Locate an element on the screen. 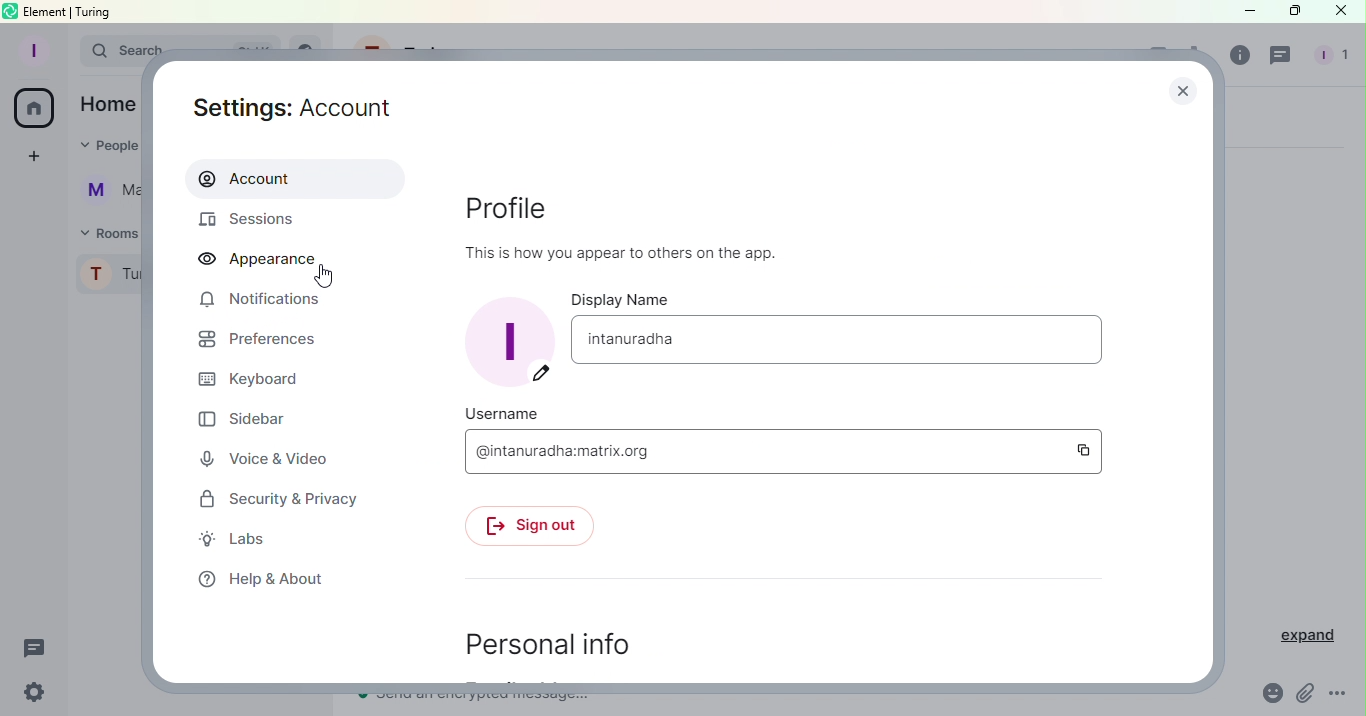 The image size is (1366, 716). Pointer is located at coordinates (324, 277).